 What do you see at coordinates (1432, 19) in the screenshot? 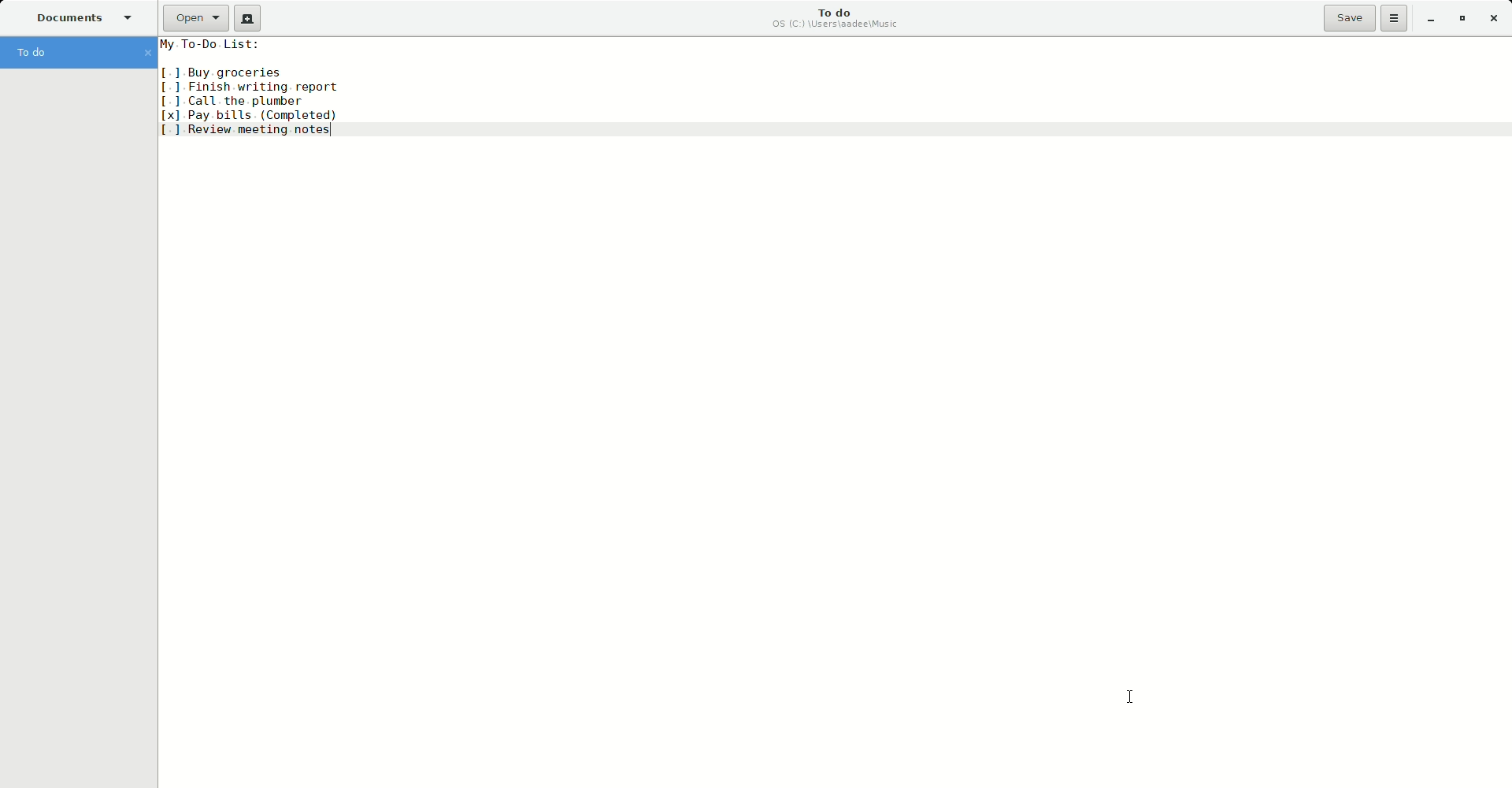
I see `Minimize` at bounding box center [1432, 19].